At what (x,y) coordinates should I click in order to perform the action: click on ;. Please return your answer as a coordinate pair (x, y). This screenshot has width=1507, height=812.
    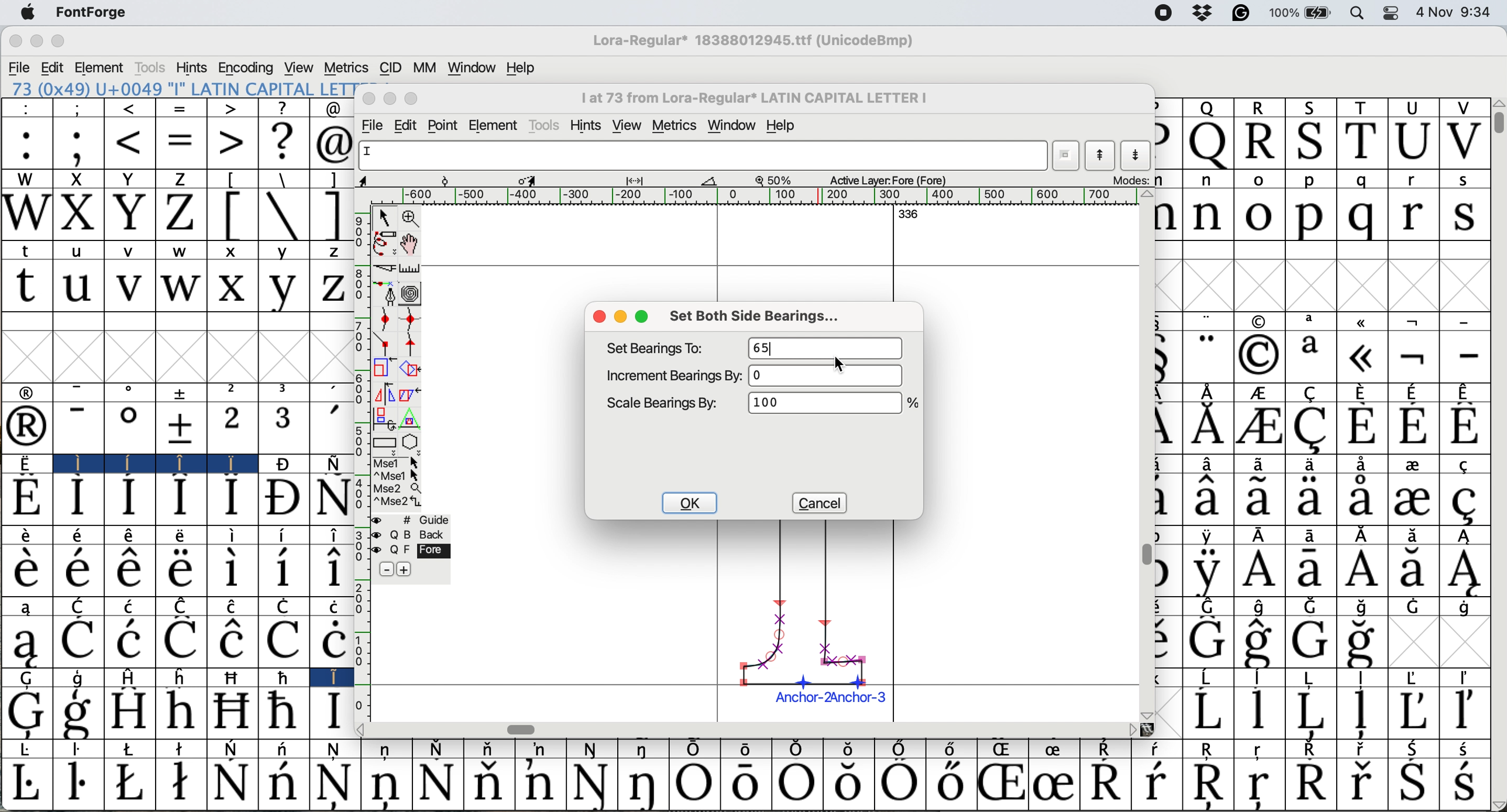
    Looking at the image, I should click on (78, 146).